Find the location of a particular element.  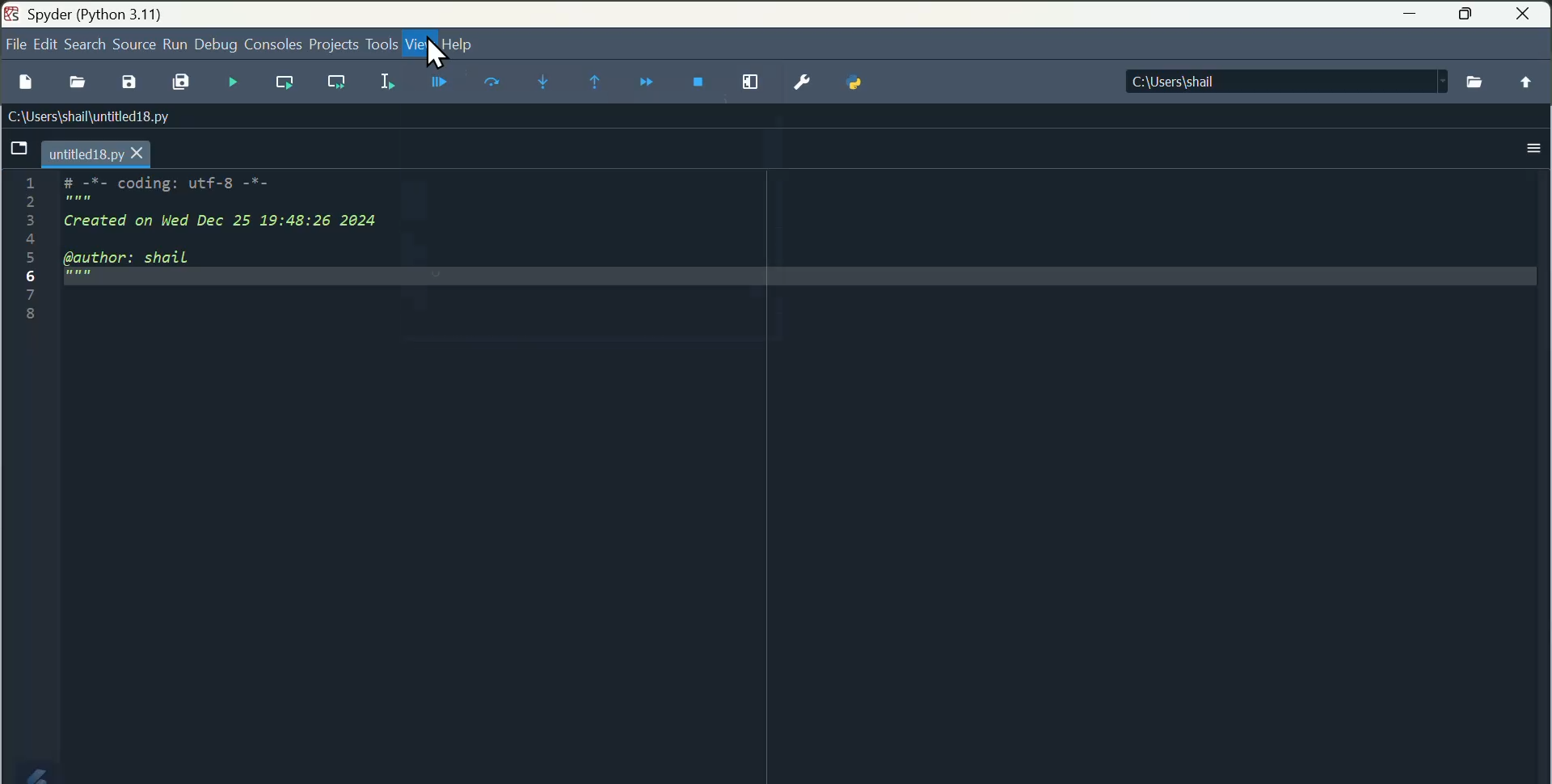

C:\Users\Shail is located at coordinates (1284, 80).